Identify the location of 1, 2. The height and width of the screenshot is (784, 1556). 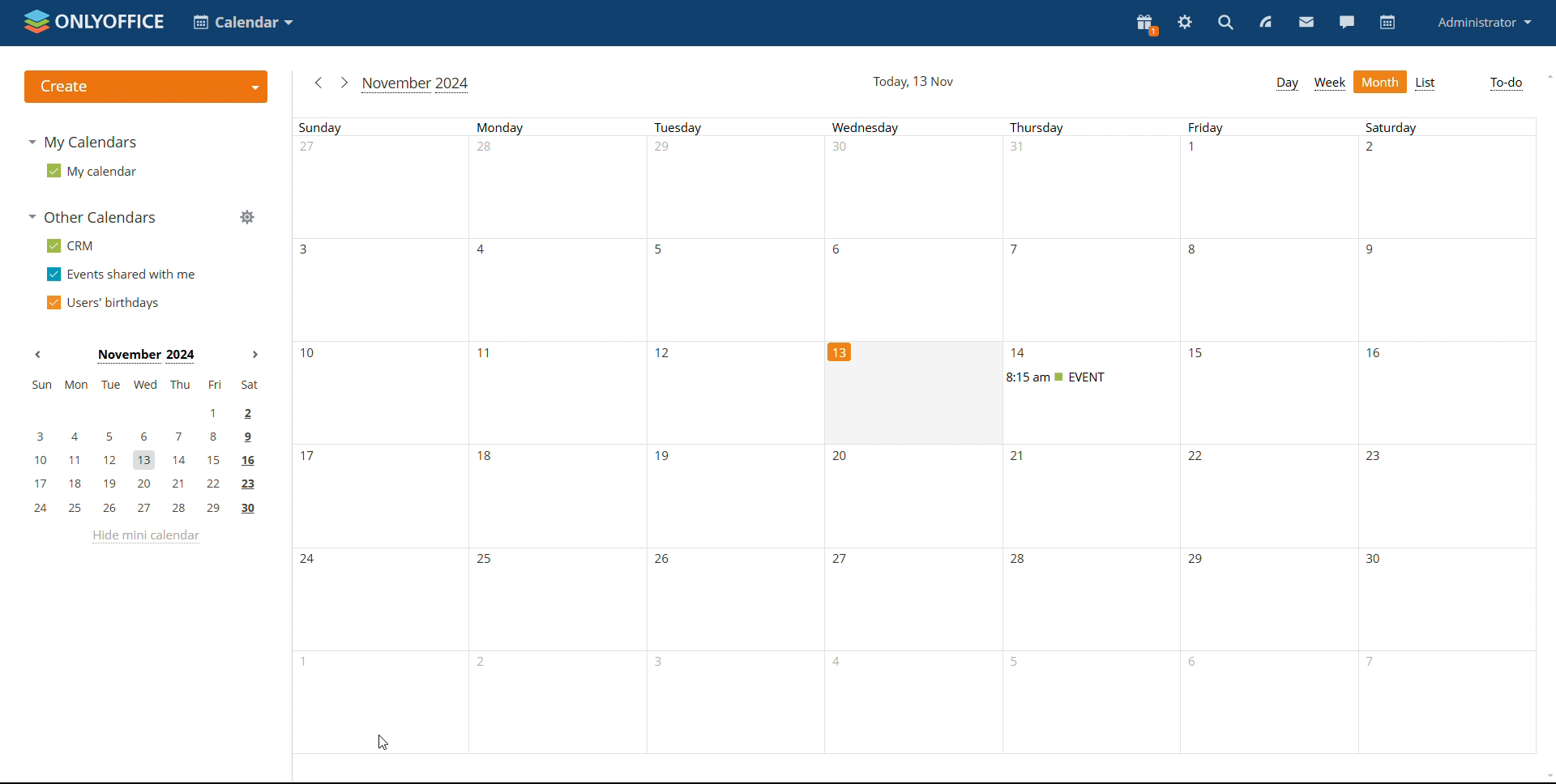
(144, 411).